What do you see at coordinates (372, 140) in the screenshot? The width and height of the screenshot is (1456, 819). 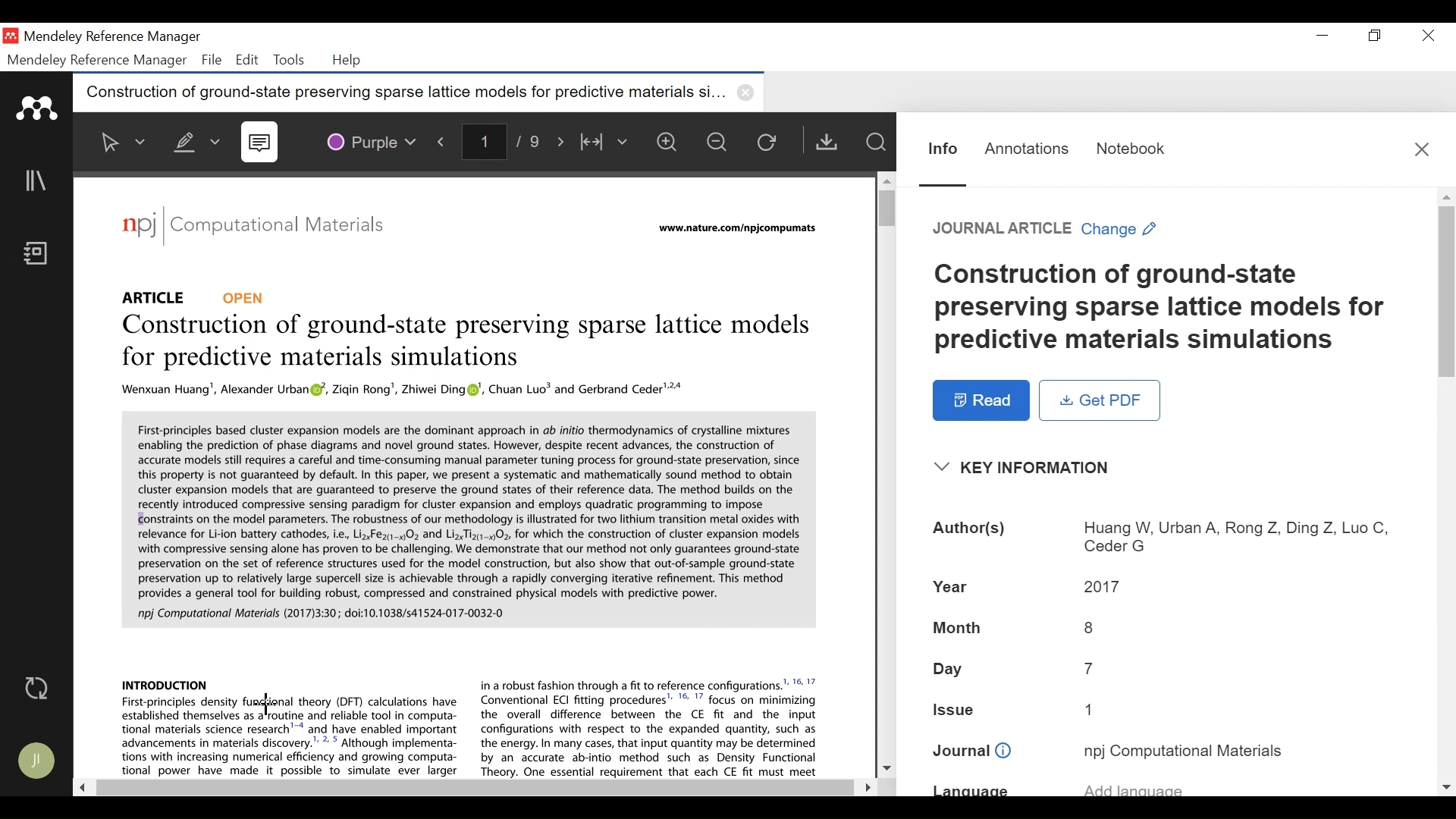 I see `Color` at bounding box center [372, 140].